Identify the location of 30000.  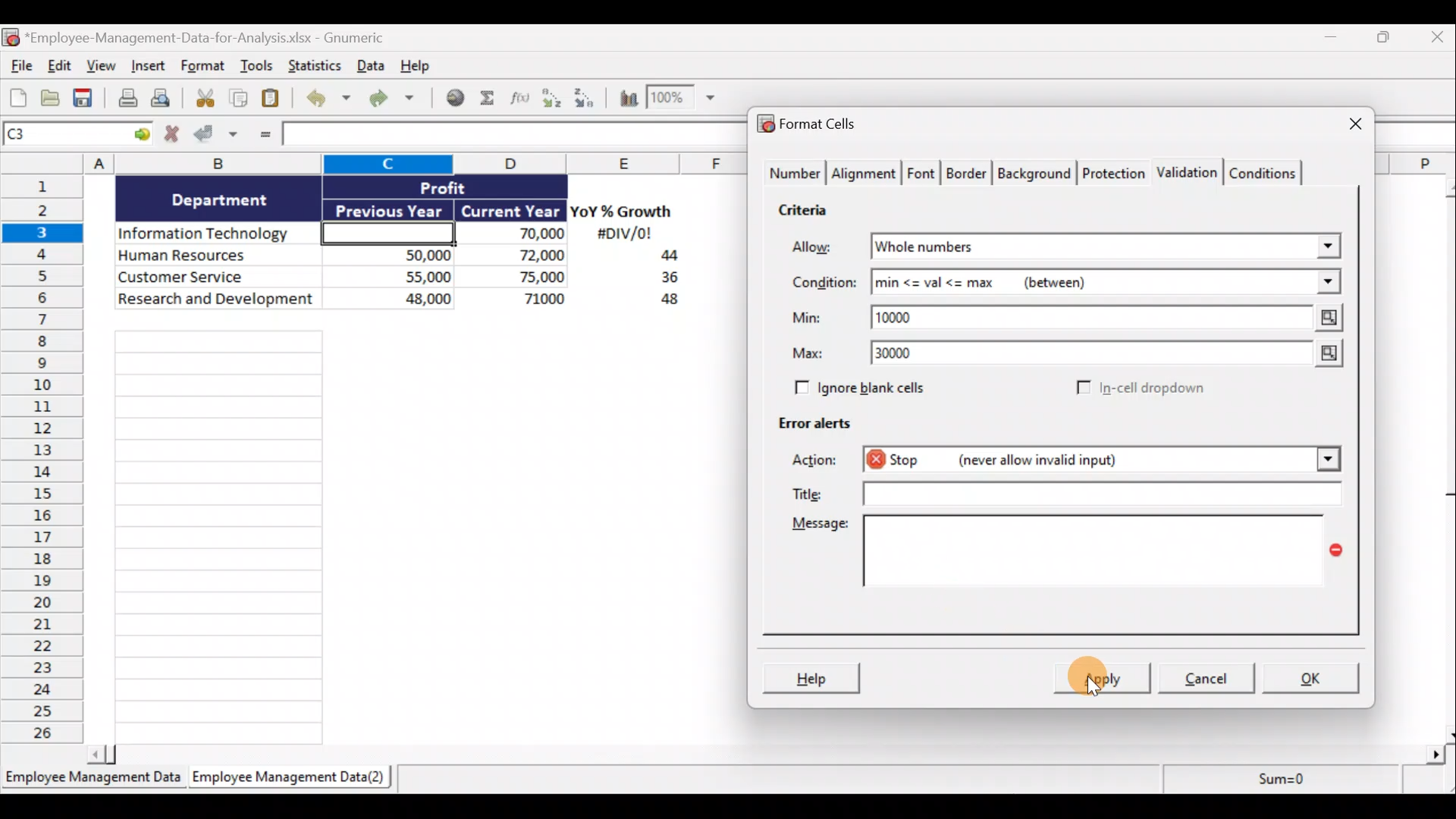
(904, 355).